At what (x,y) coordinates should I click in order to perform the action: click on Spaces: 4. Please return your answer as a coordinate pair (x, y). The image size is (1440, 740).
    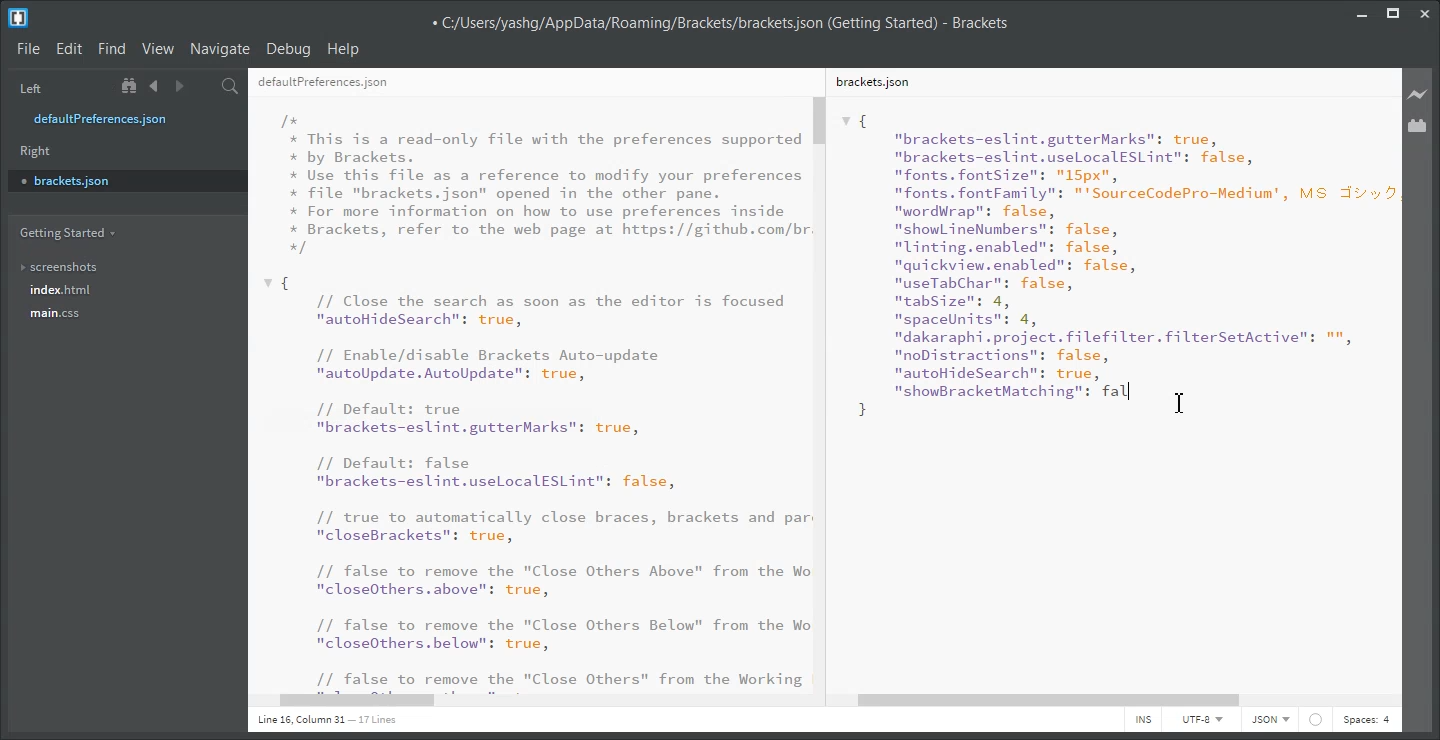
    Looking at the image, I should click on (1366, 720).